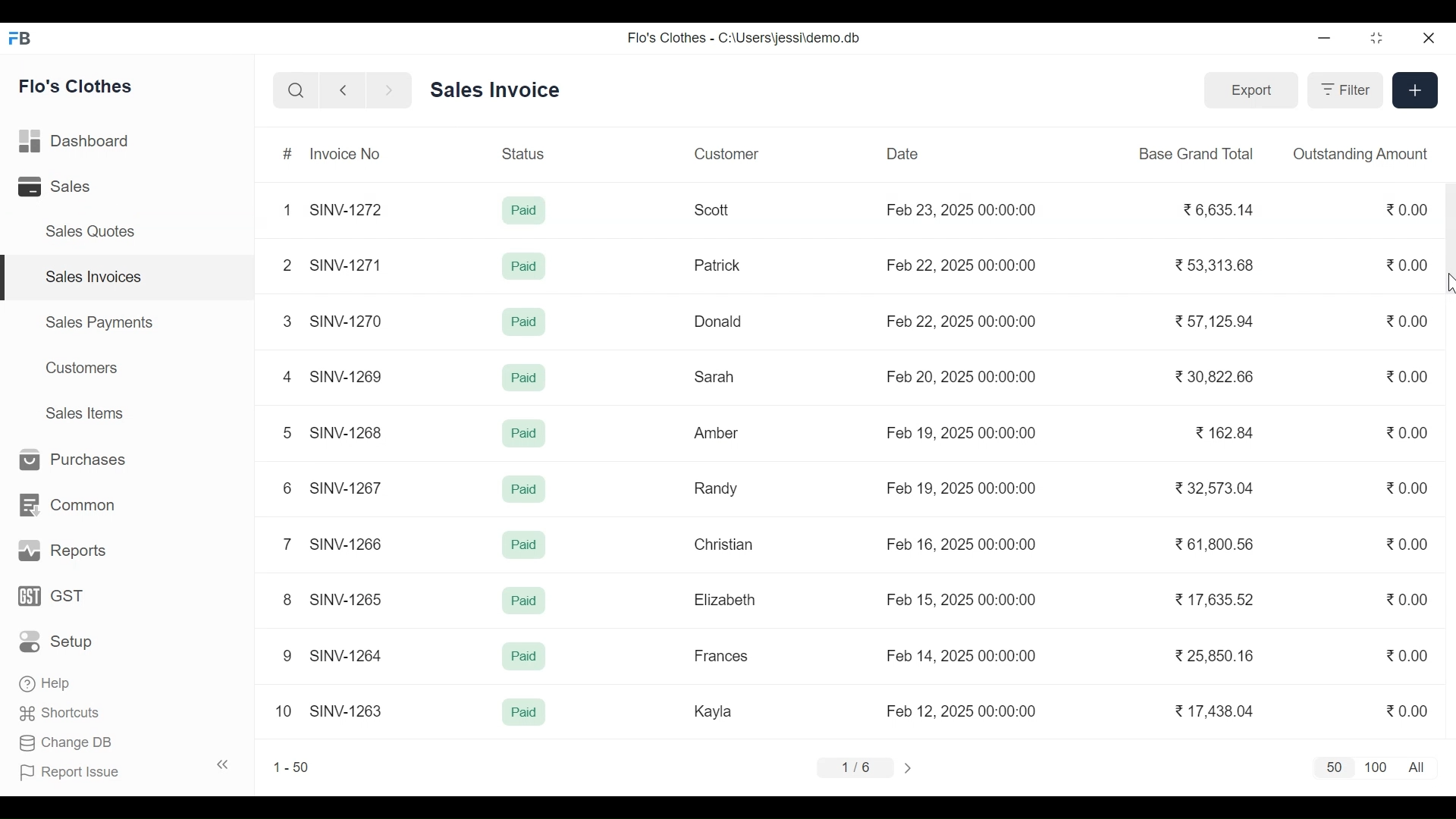 The height and width of the screenshot is (819, 1456). Describe the element at coordinates (522, 322) in the screenshot. I see `Paid` at that location.